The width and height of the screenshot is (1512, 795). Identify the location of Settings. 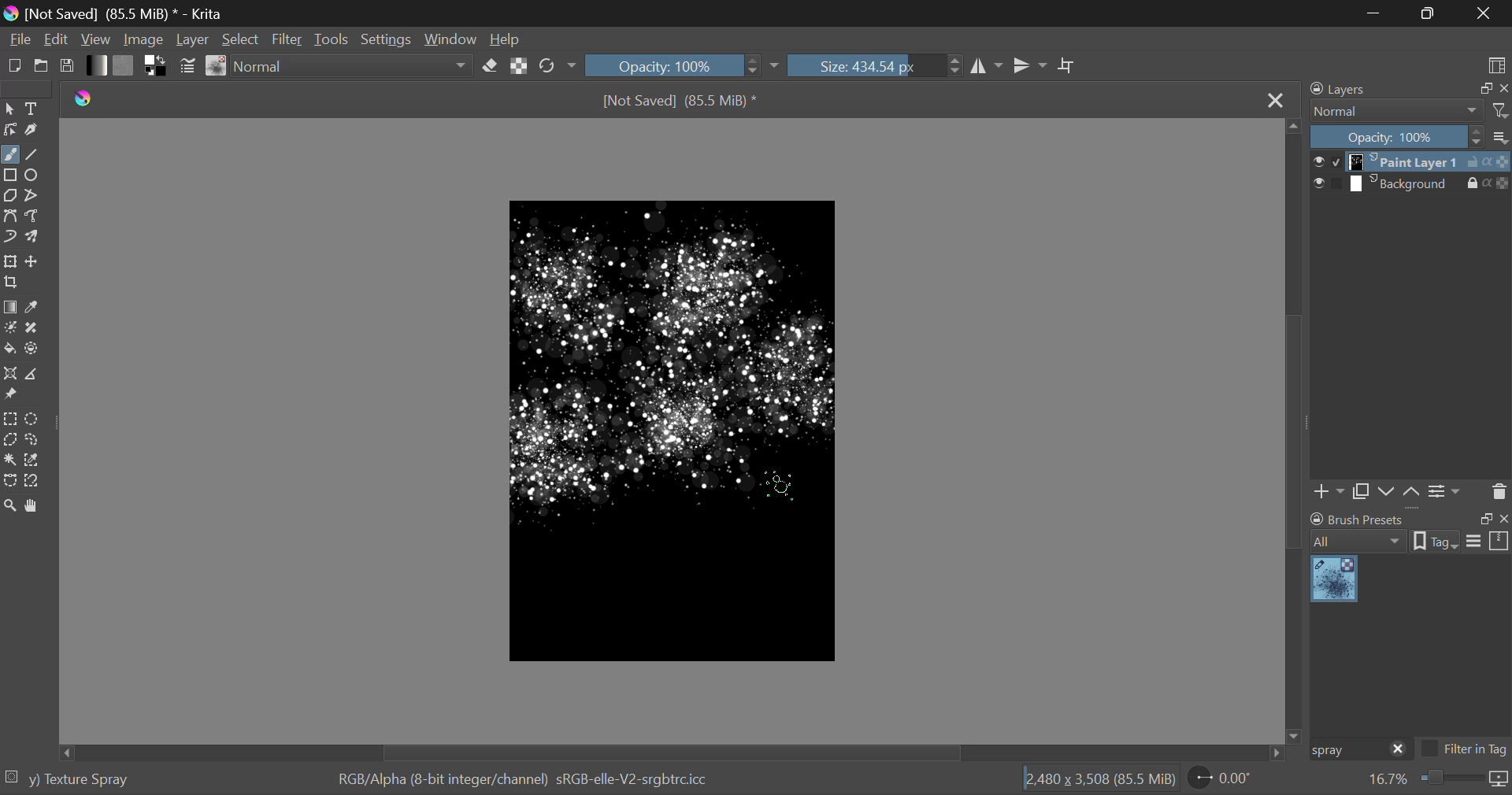
(1447, 492).